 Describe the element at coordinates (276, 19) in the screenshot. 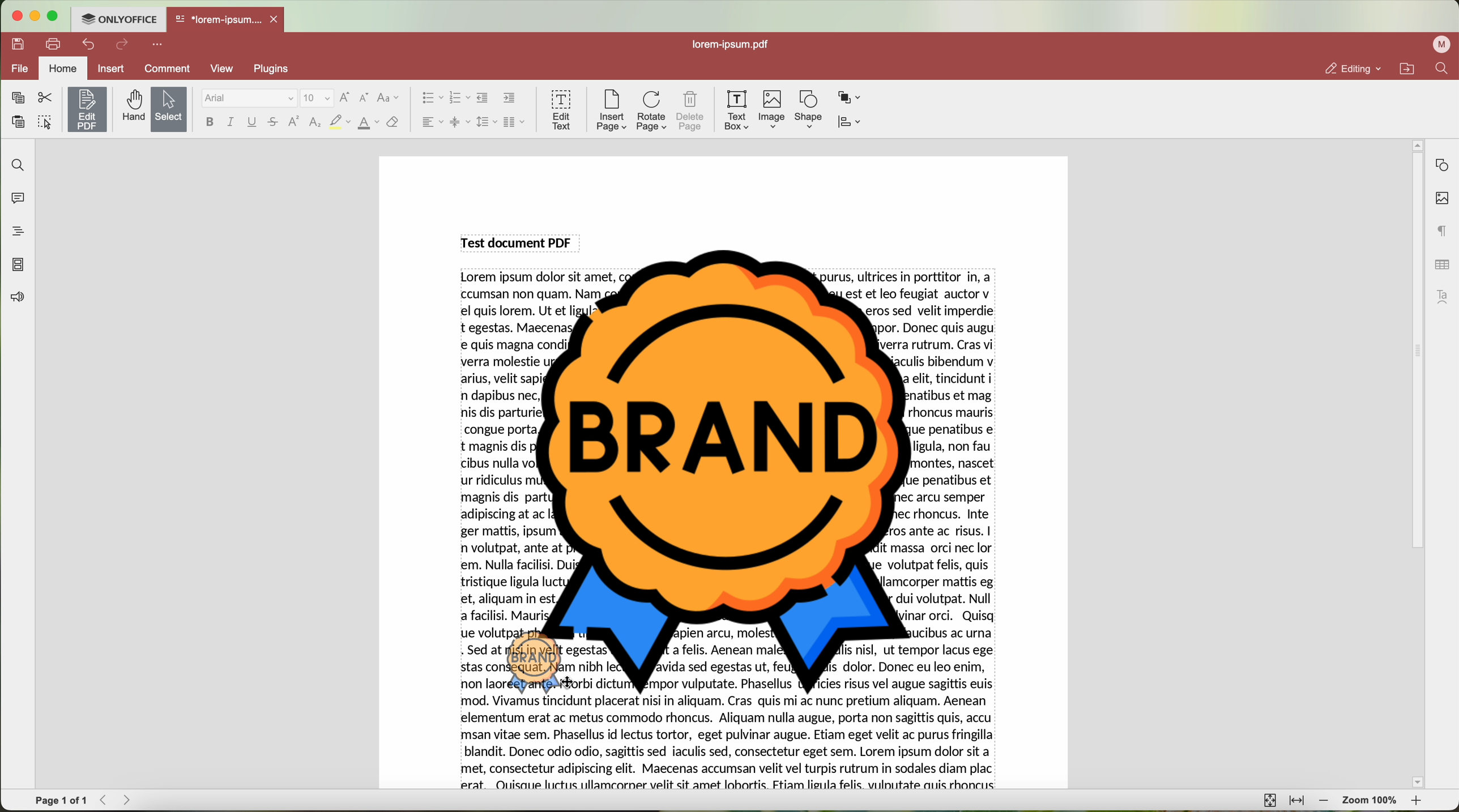

I see `close` at that location.